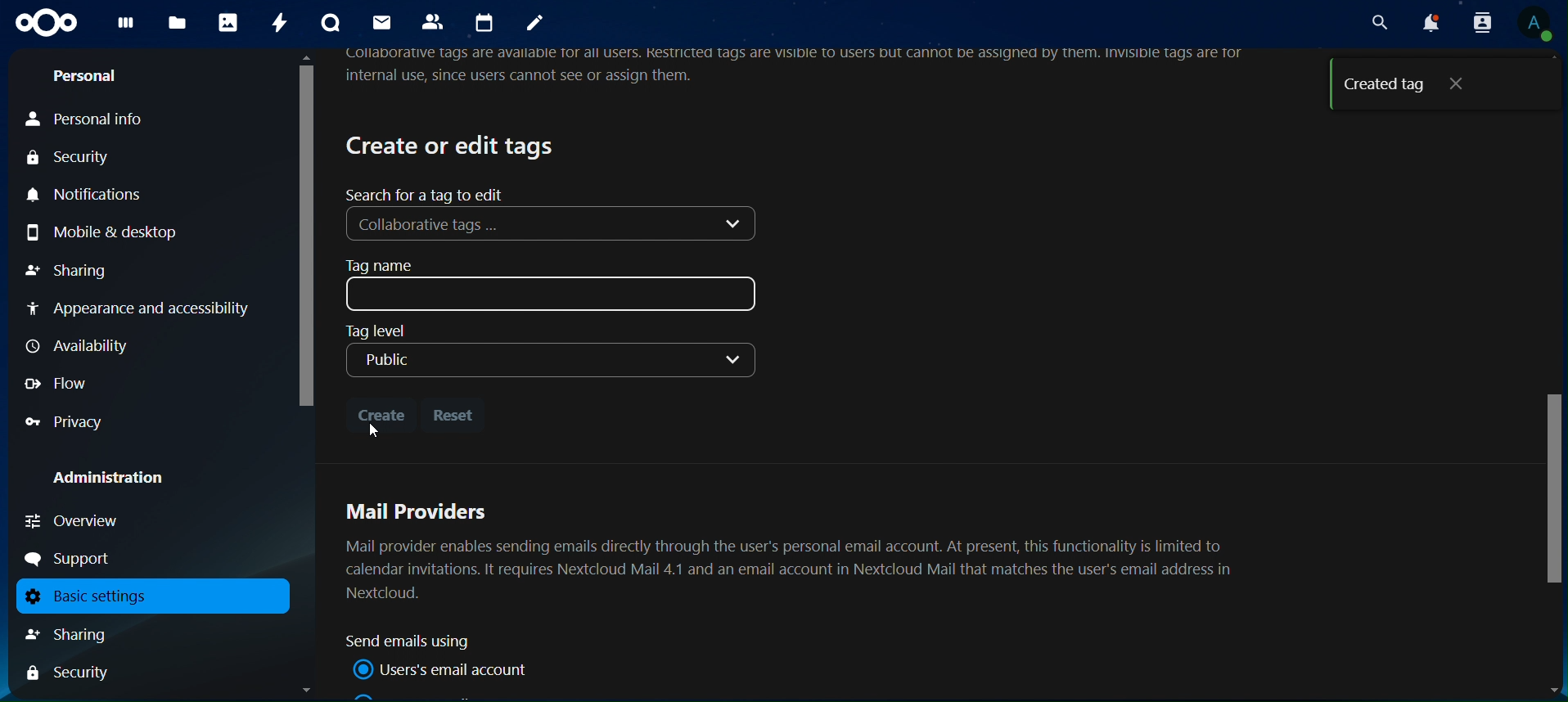 The image size is (1568, 702). What do you see at coordinates (381, 22) in the screenshot?
I see `mail` at bounding box center [381, 22].